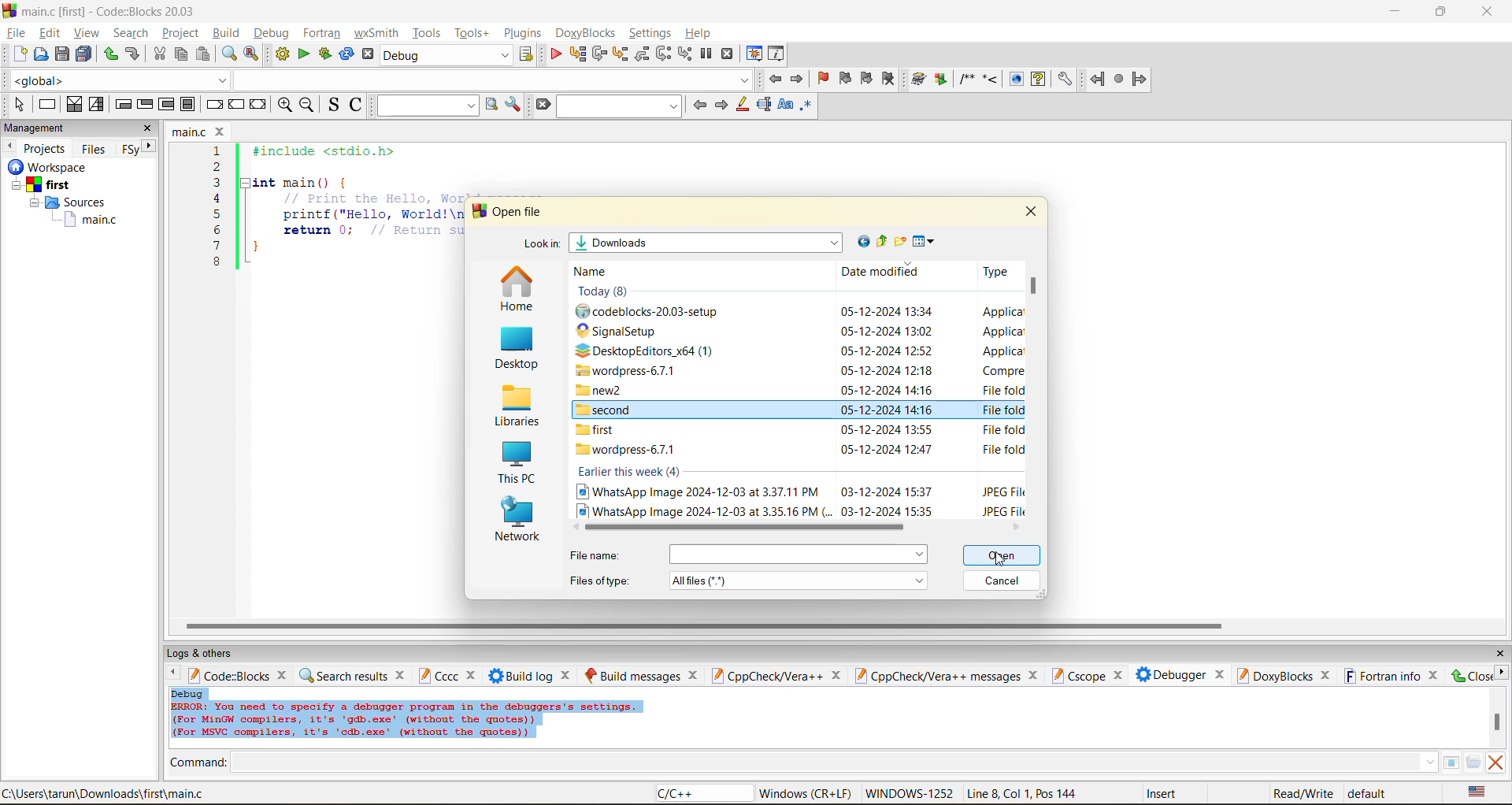 The height and width of the screenshot is (805, 1512). Describe the element at coordinates (641, 54) in the screenshot. I see `step out` at that location.